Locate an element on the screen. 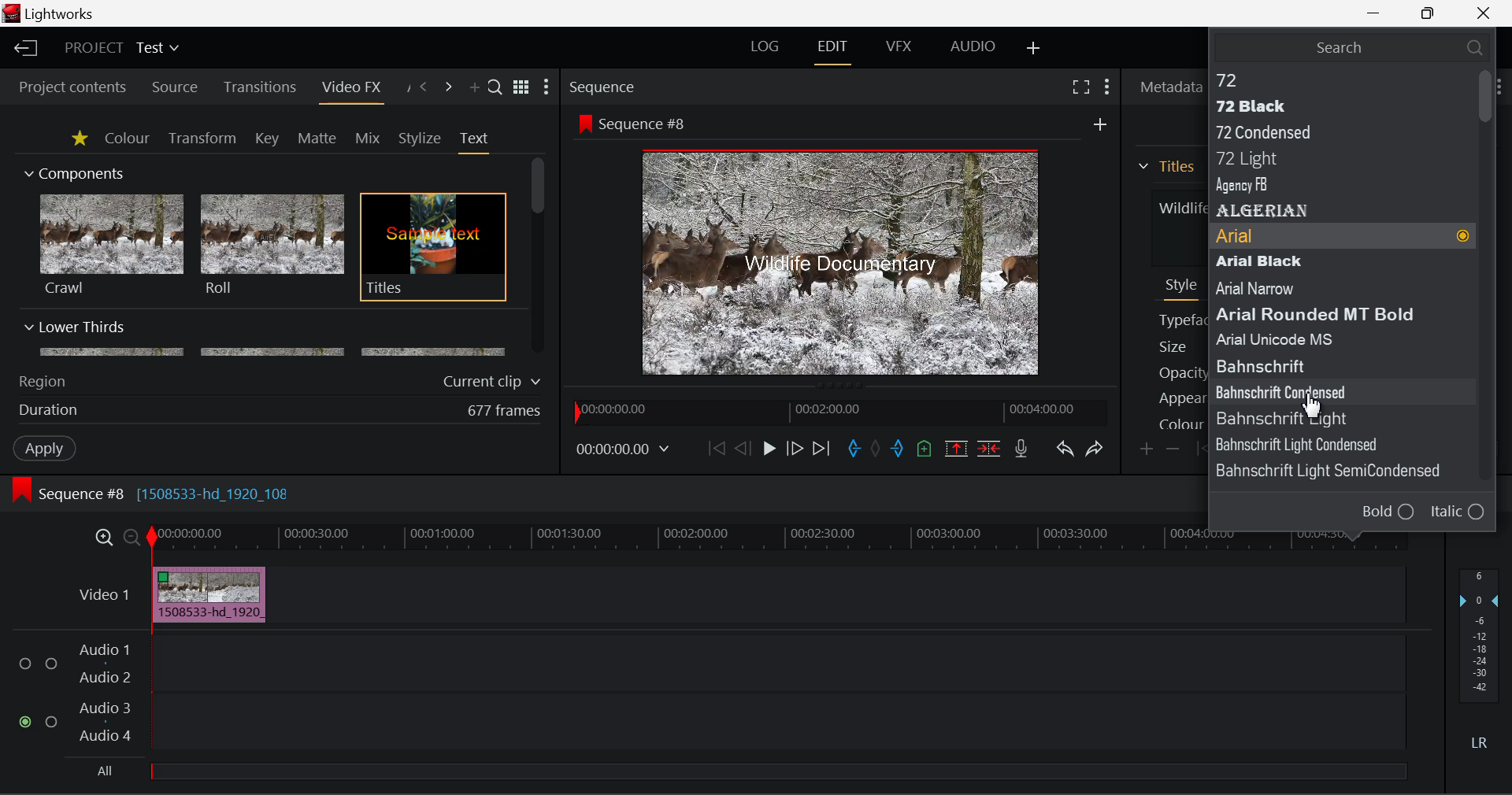 The width and height of the screenshot is (1512, 795). Toggle list and title view is located at coordinates (523, 87).